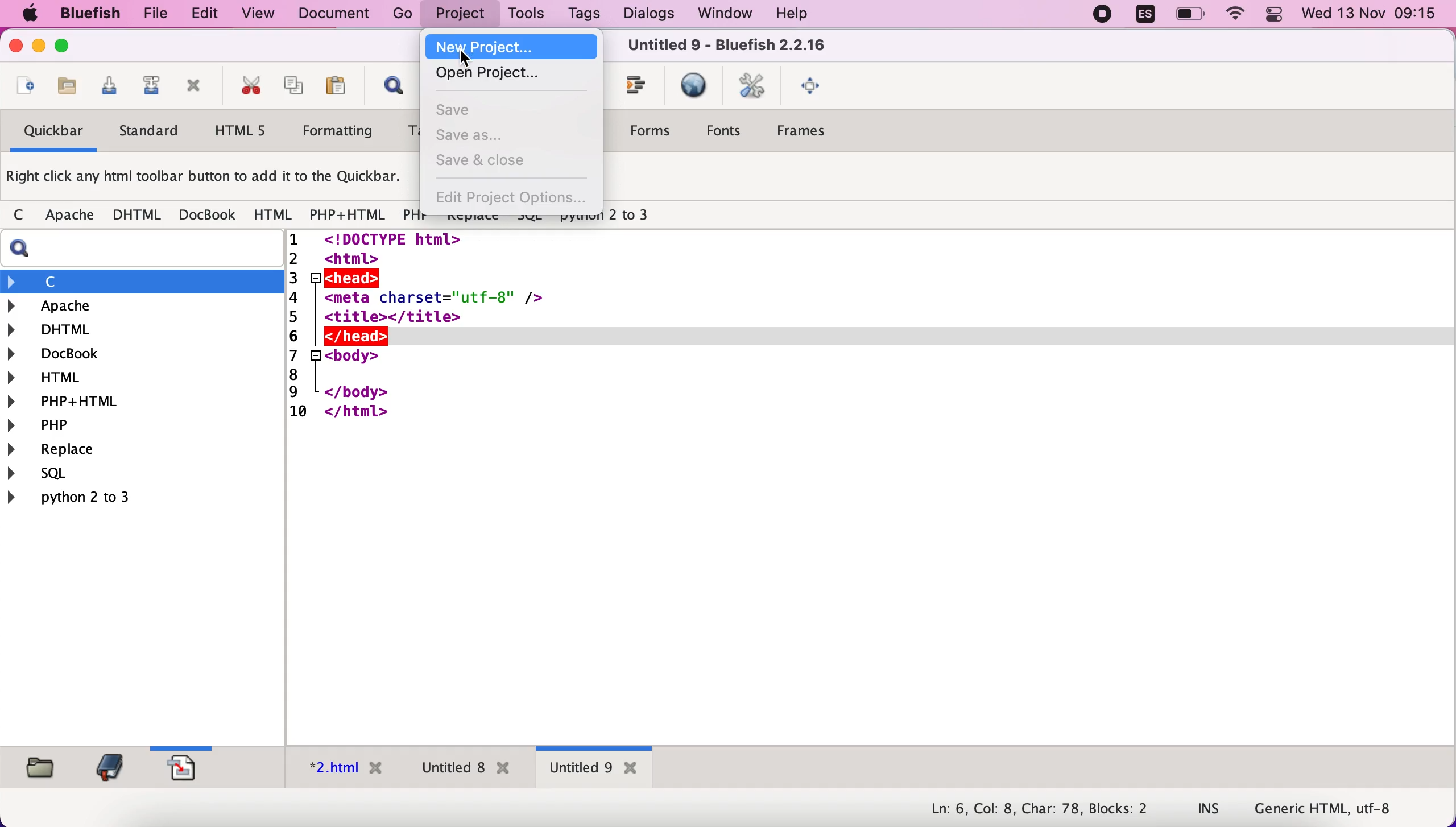 The width and height of the screenshot is (1456, 827). Describe the element at coordinates (1274, 15) in the screenshot. I see `panel control` at that location.